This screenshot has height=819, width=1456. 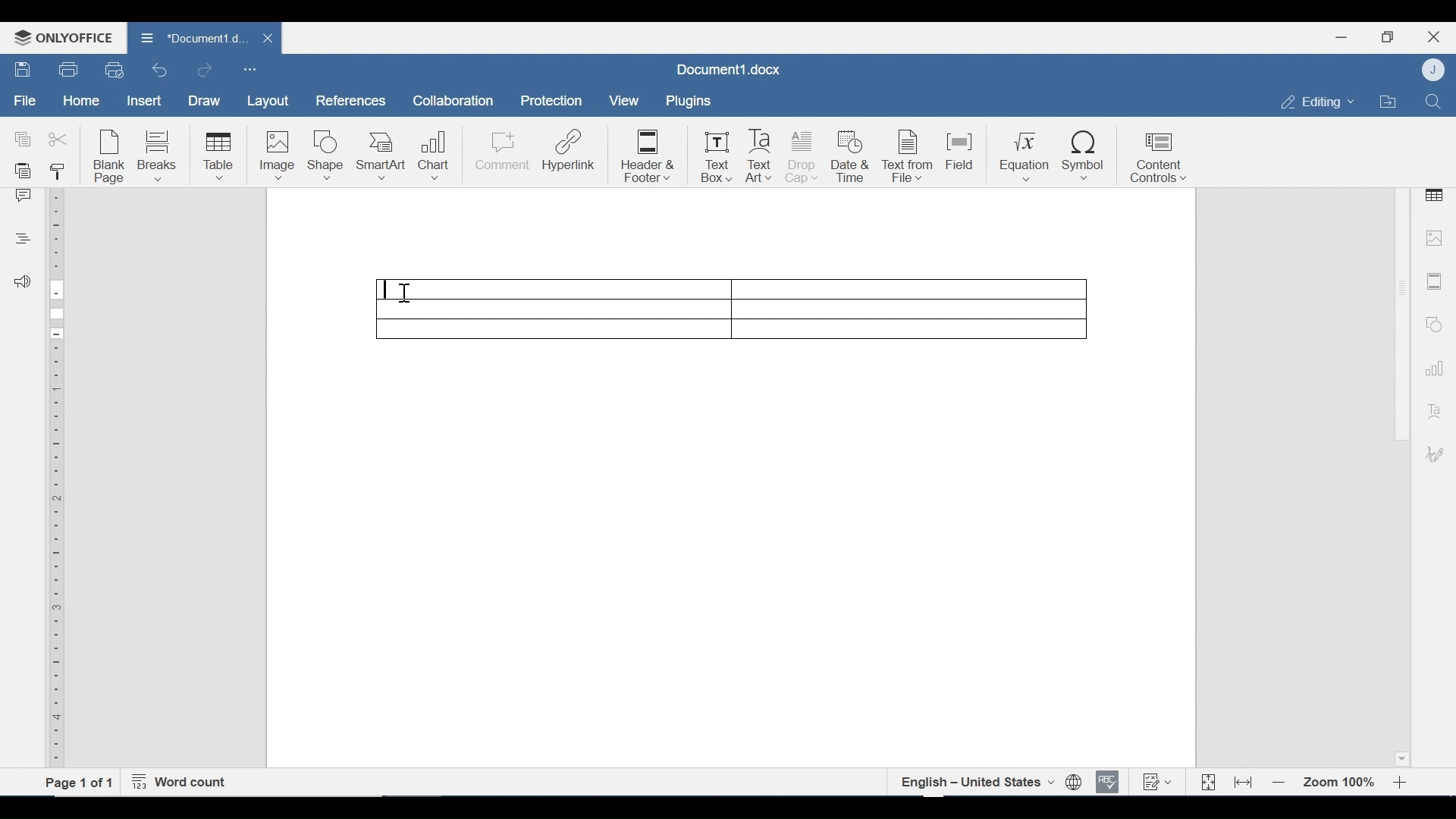 What do you see at coordinates (1401, 287) in the screenshot?
I see `Scroll bar` at bounding box center [1401, 287].